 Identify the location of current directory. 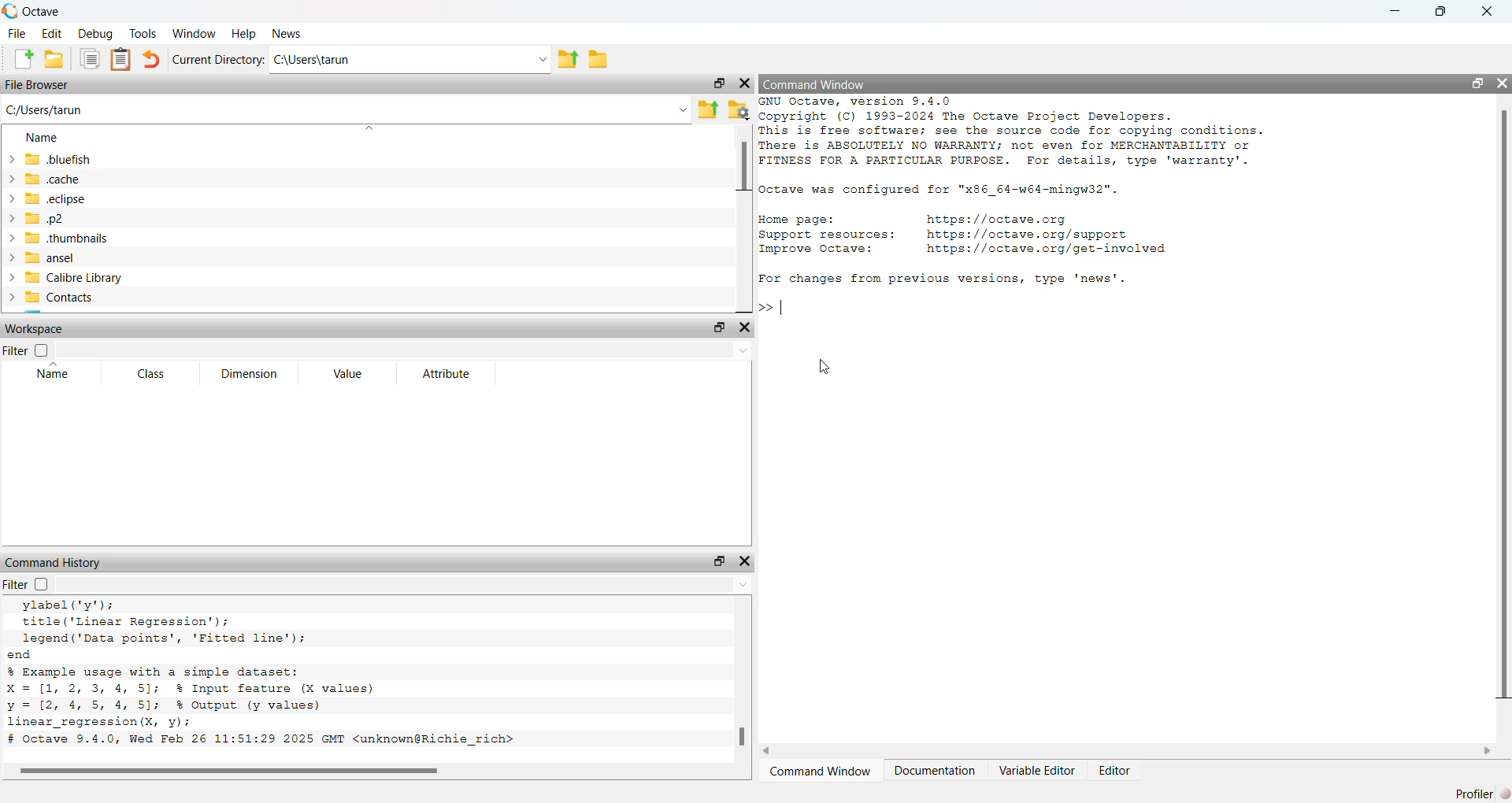
(217, 59).